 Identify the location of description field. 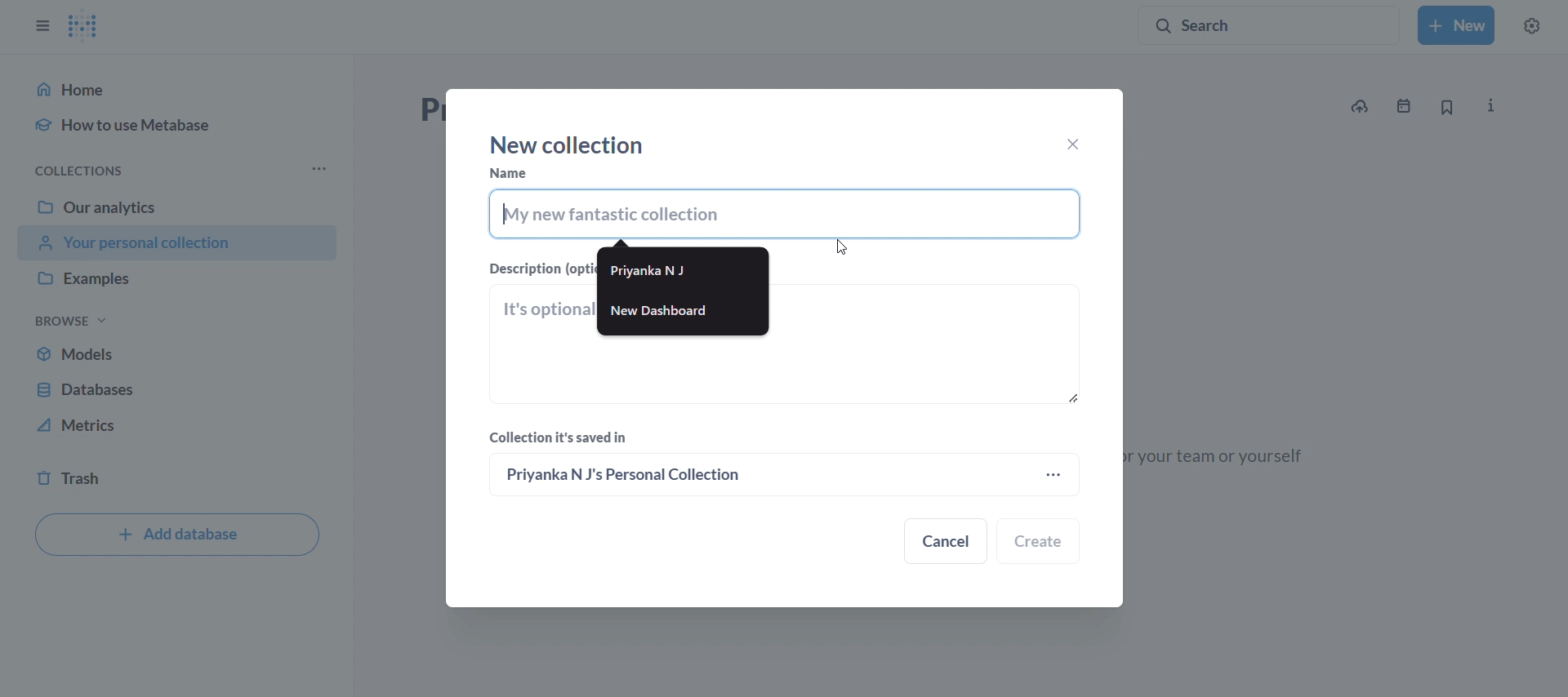
(785, 351).